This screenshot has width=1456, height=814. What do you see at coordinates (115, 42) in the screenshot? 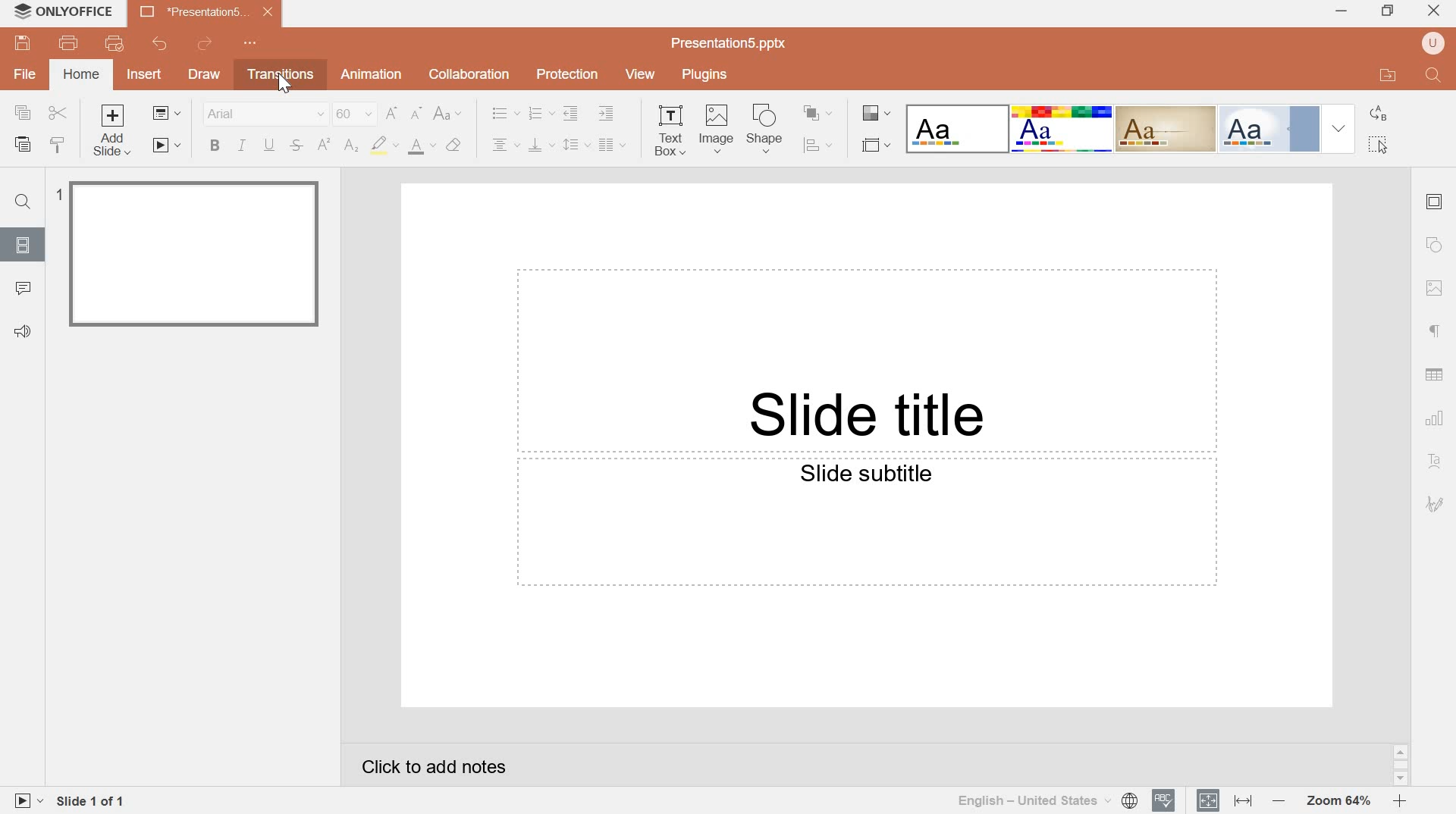
I see `Quick print` at bounding box center [115, 42].